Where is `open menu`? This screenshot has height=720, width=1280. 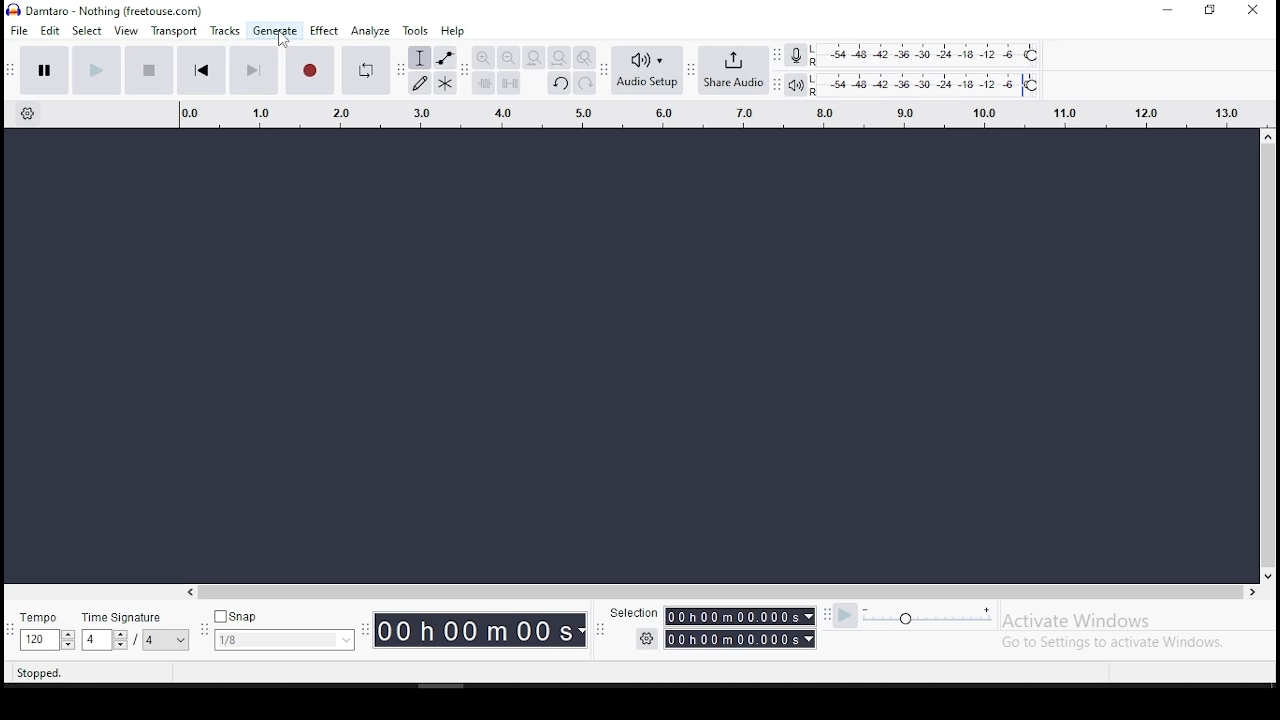 open menu is located at coordinates (400, 76).